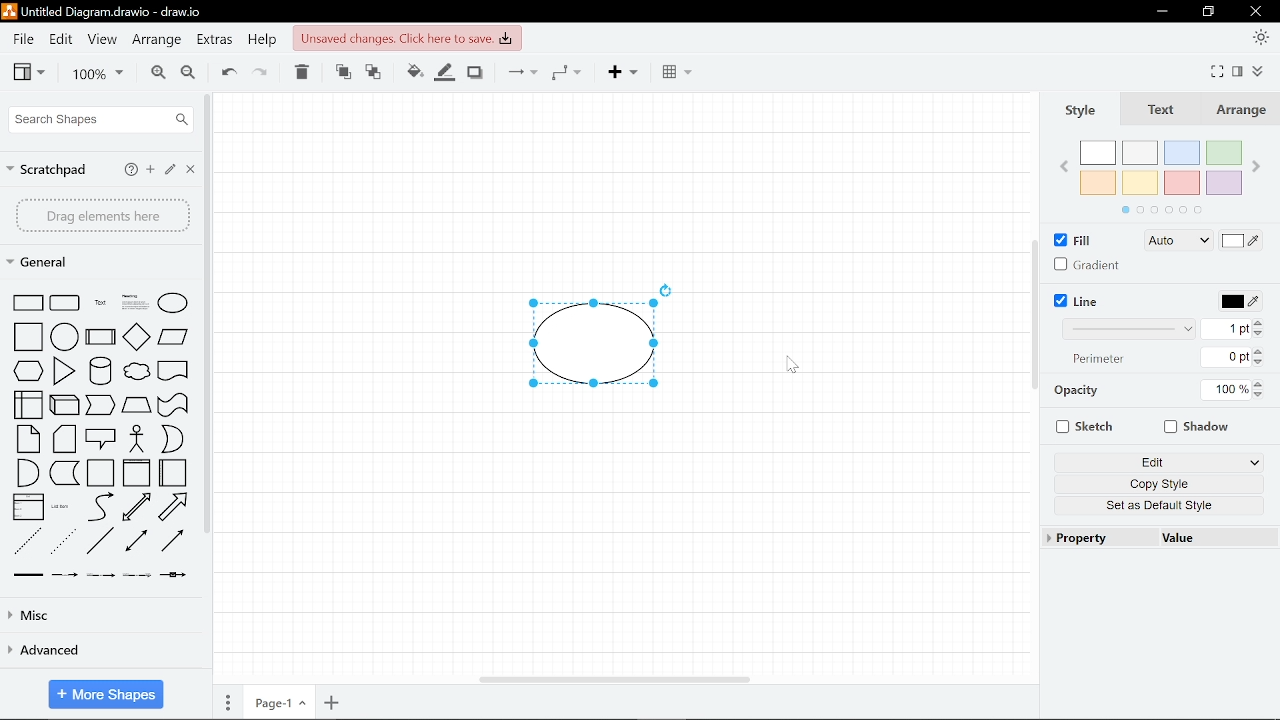  What do you see at coordinates (1261, 70) in the screenshot?
I see `Expand/collapse` at bounding box center [1261, 70].